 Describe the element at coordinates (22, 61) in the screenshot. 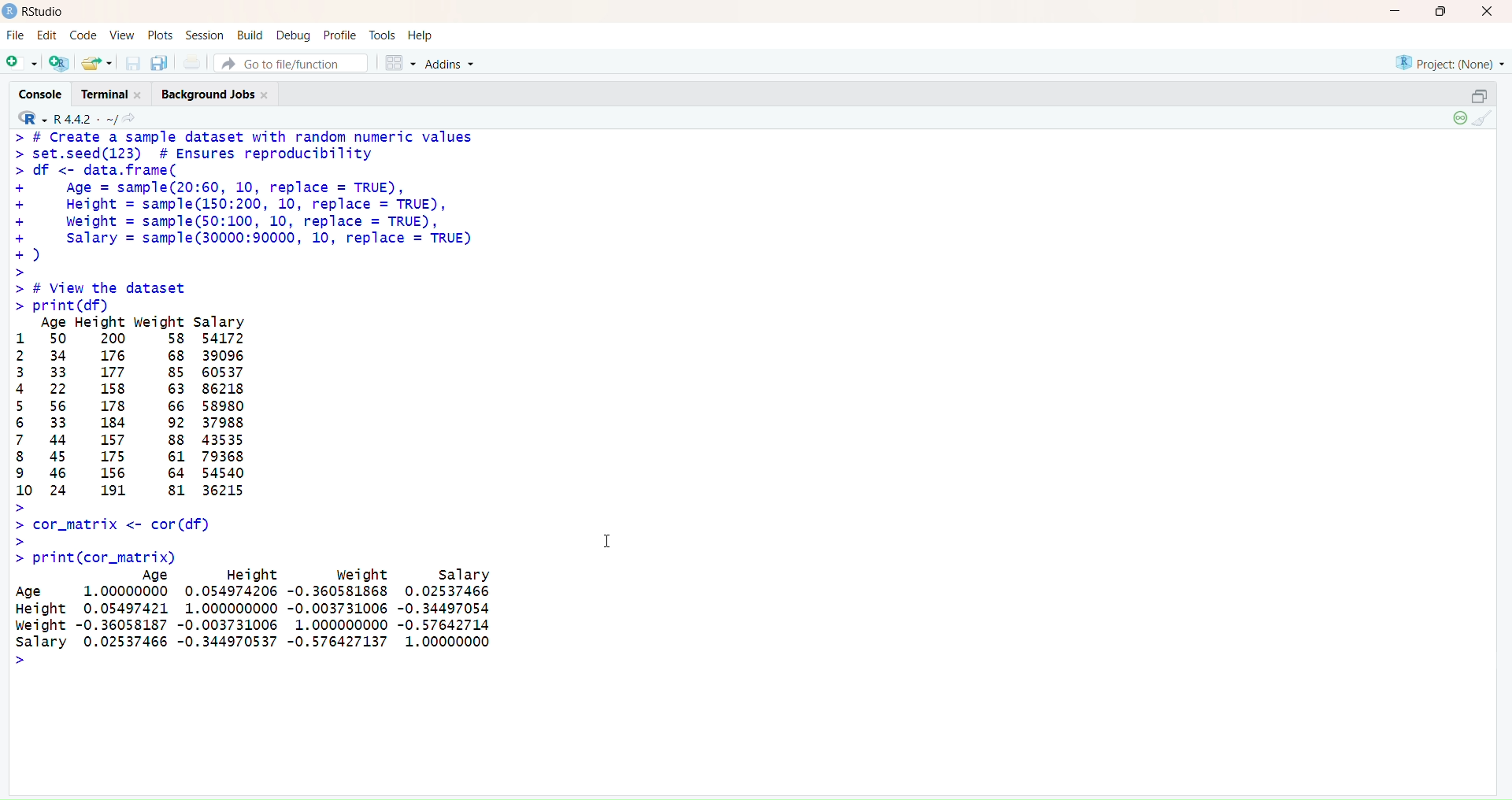

I see `New file` at that location.